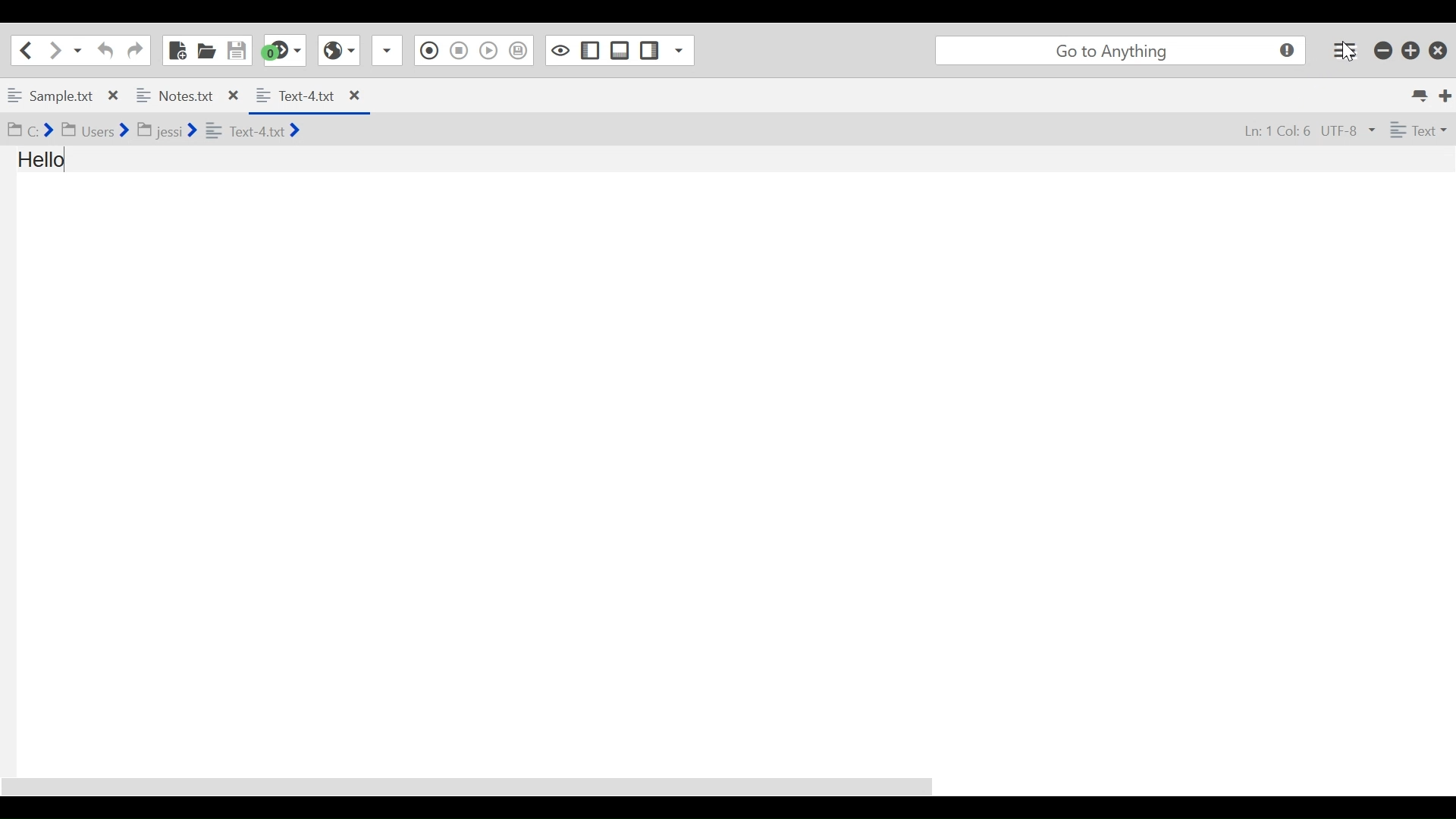 This screenshot has width=1456, height=819. I want to click on Show Specific Sidebar, so click(677, 50).